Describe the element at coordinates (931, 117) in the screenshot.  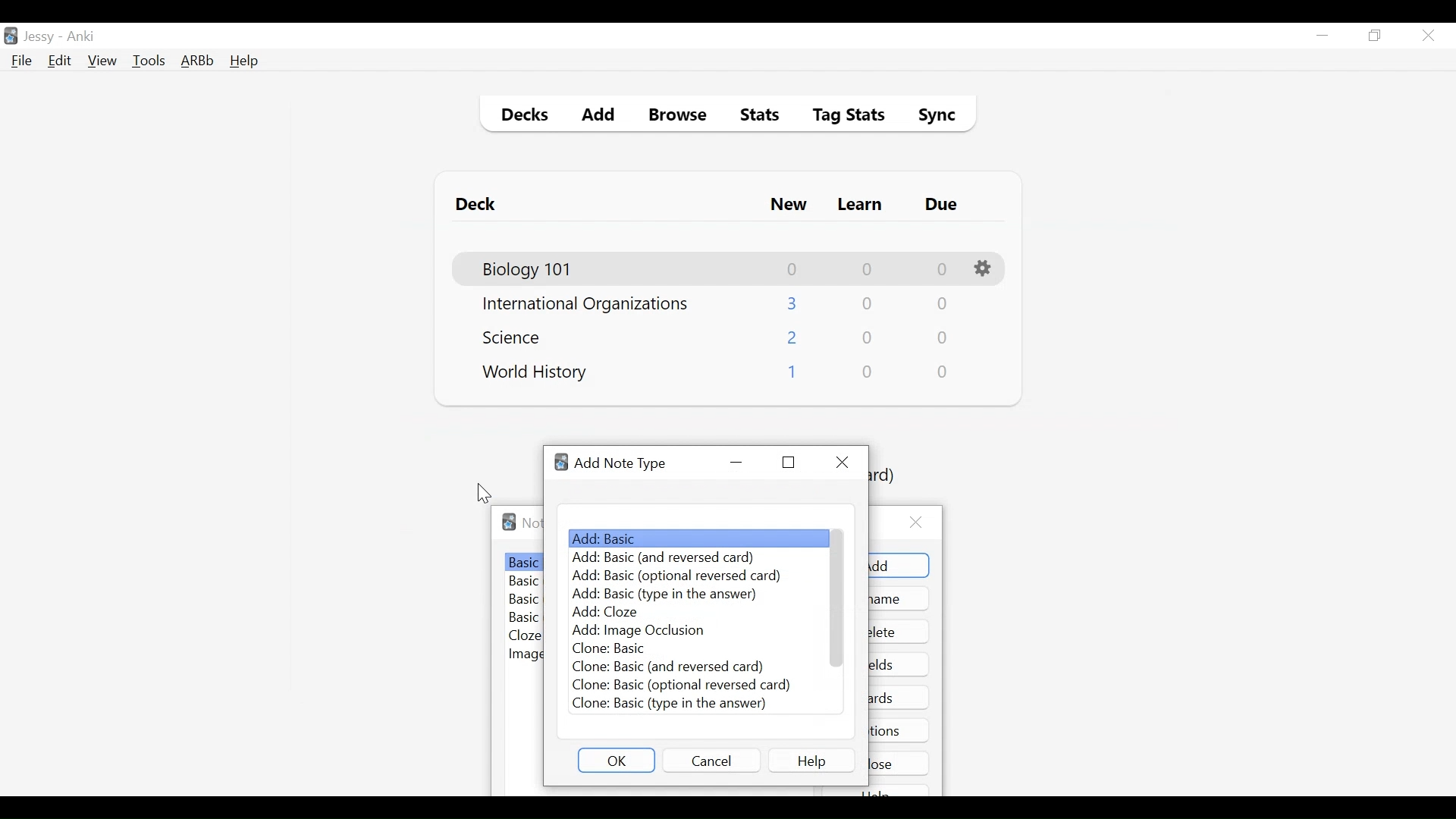
I see `Sybc` at that location.